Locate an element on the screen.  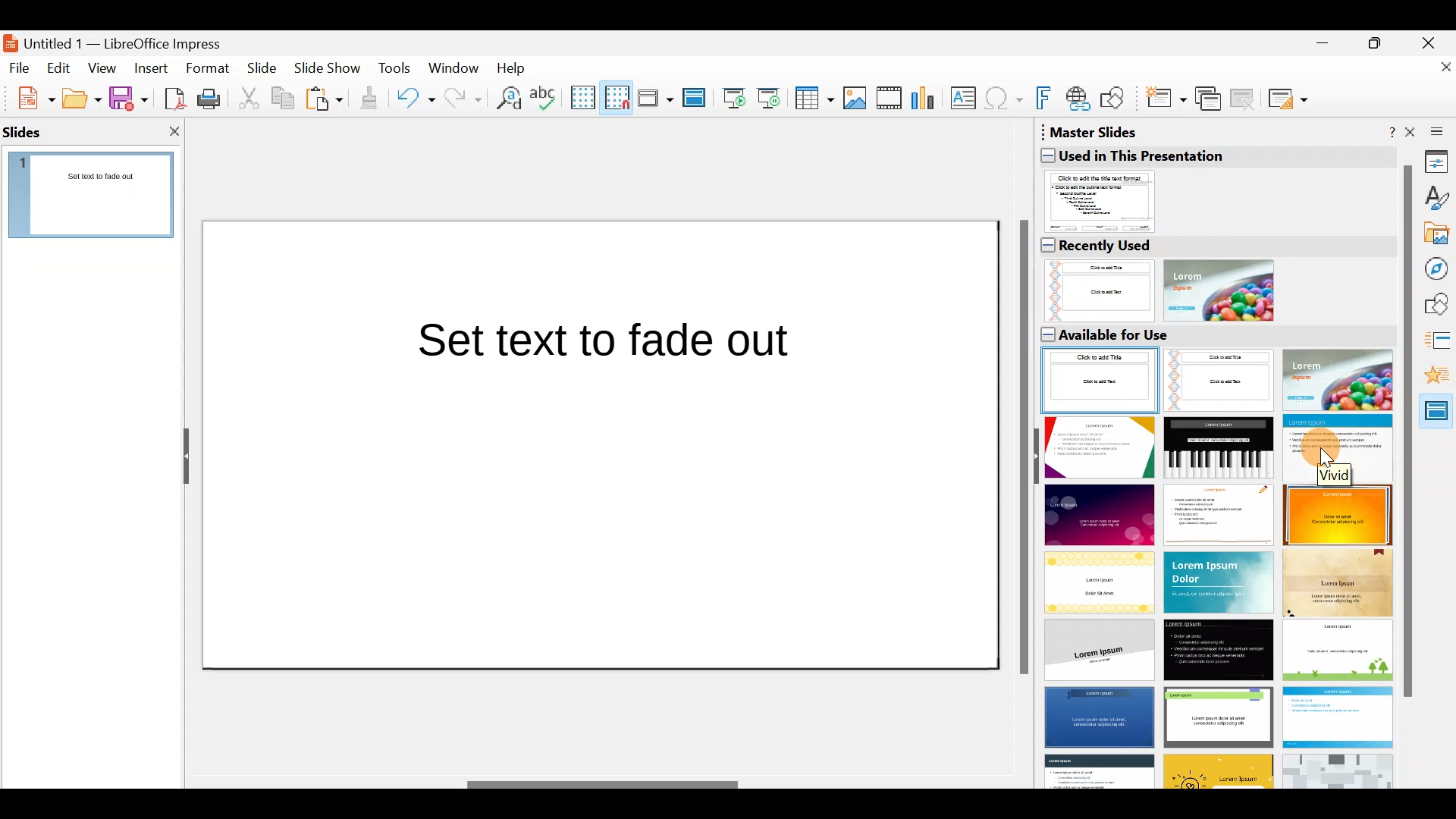
Scroll bar is located at coordinates (604, 785).